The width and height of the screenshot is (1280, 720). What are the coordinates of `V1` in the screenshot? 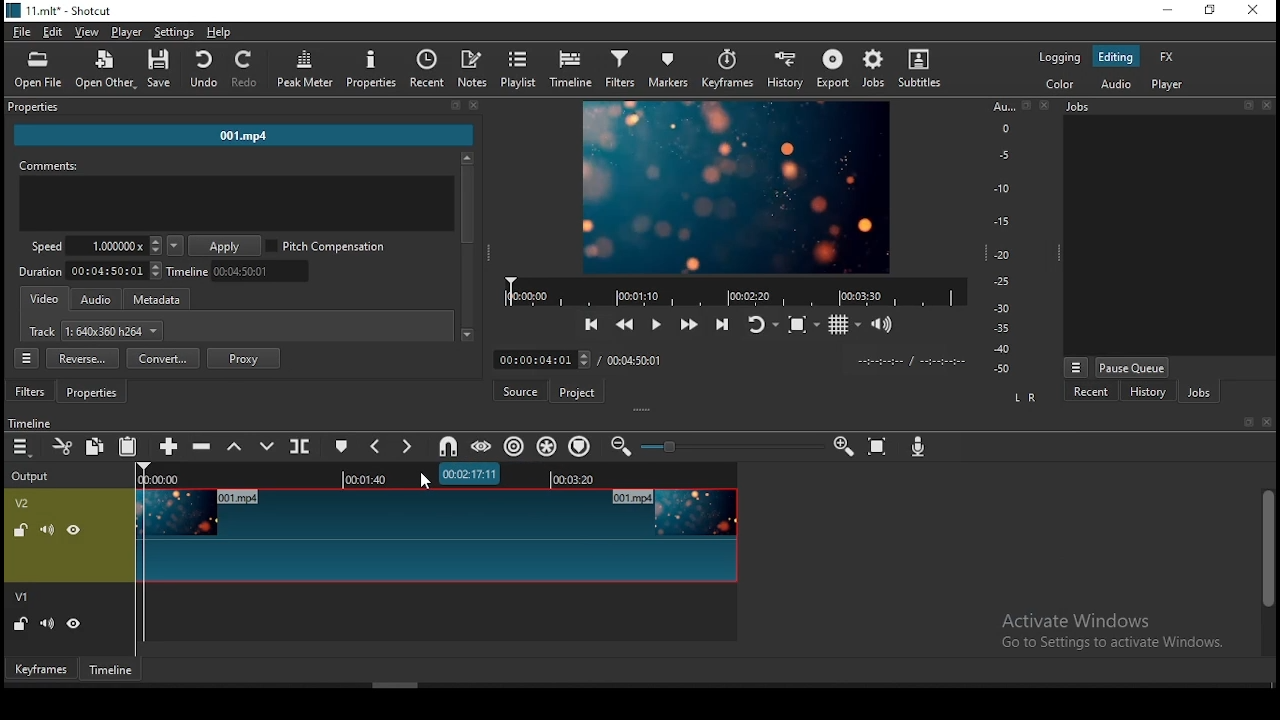 It's located at (24, 598).